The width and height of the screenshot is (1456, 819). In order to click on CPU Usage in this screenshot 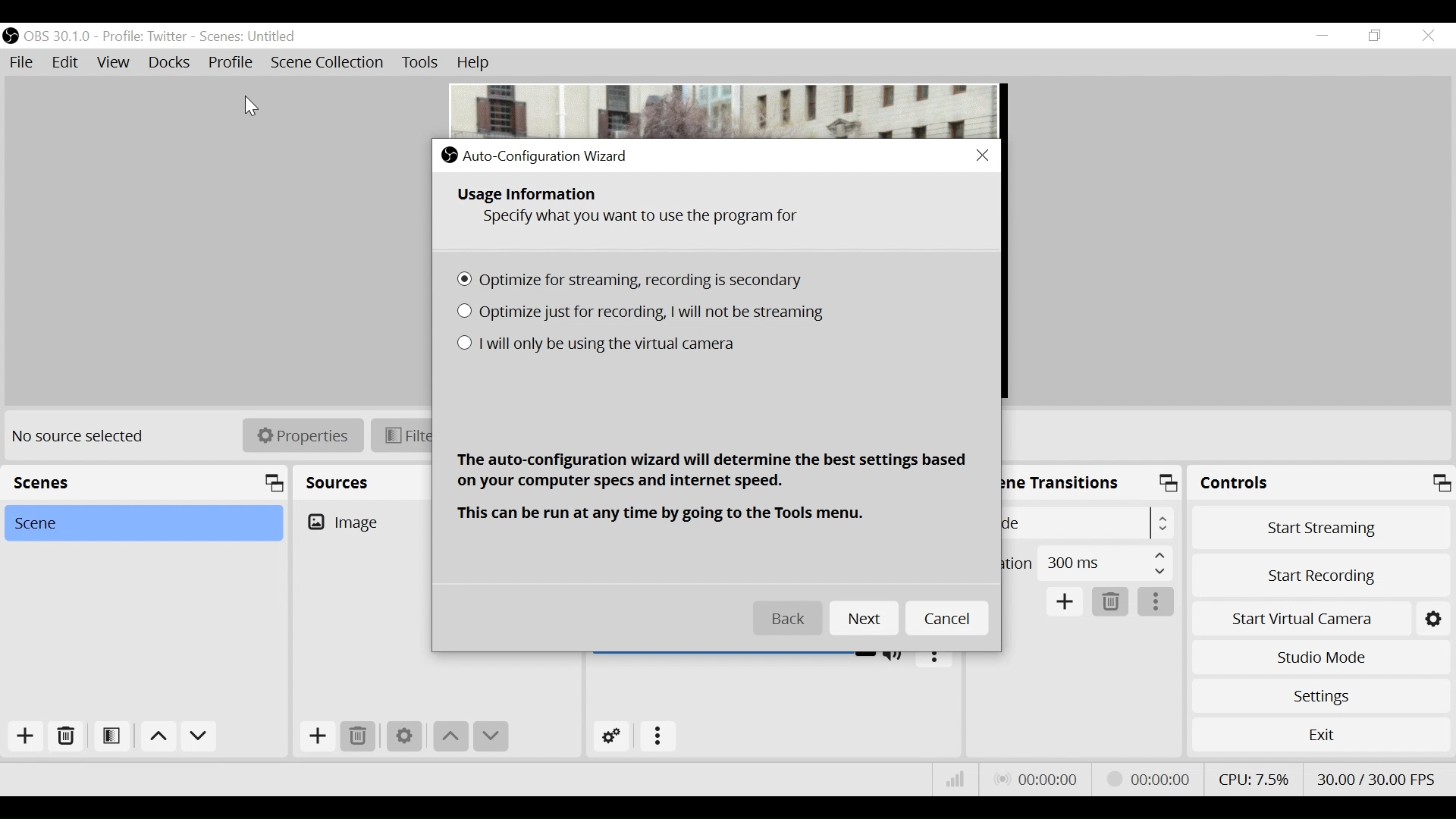, I will do `click(1255, 777)`.